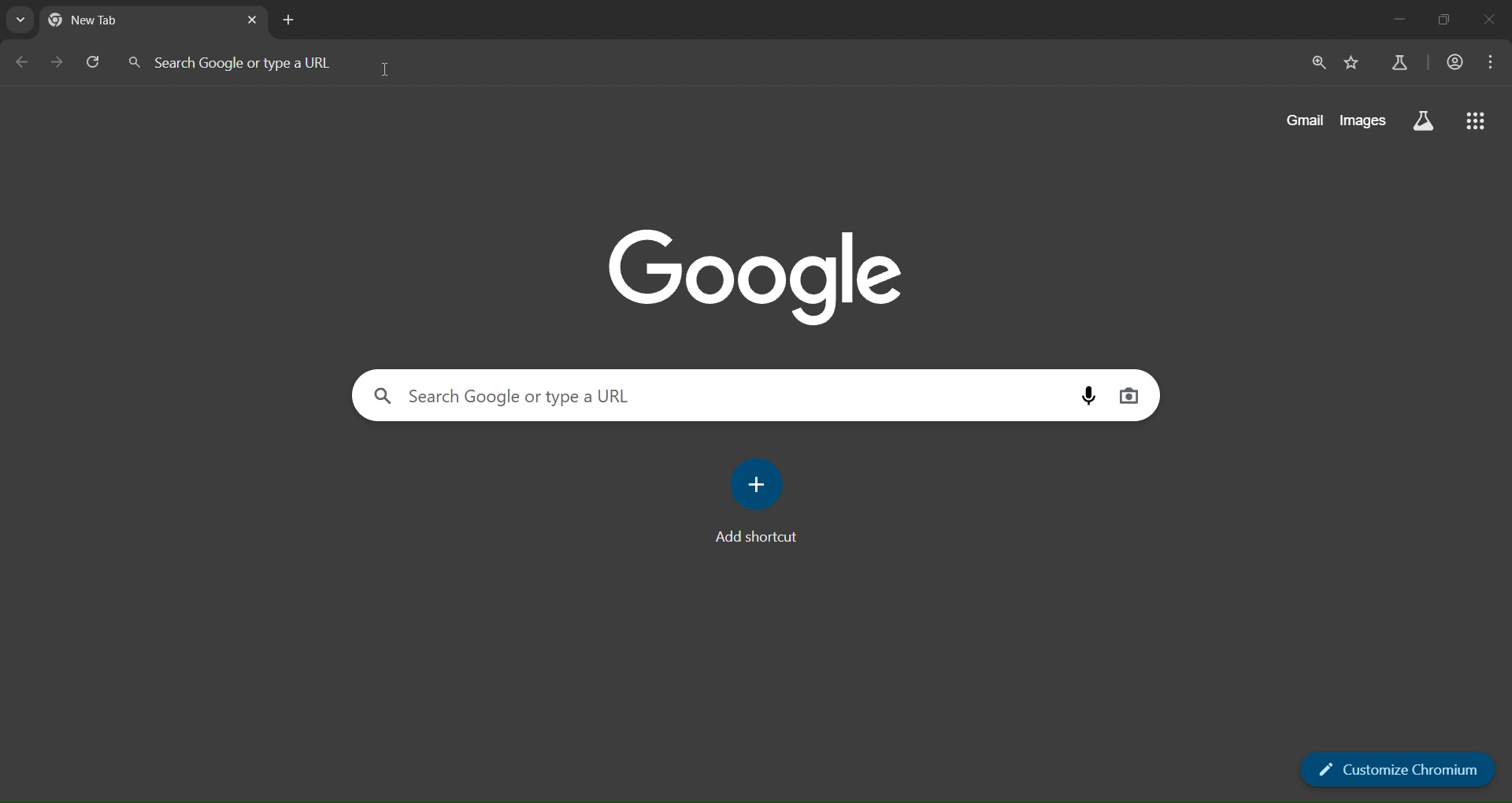  Describe the element at coordinates (756, 505) in the screenshot. I see `add shortcut` at that location.